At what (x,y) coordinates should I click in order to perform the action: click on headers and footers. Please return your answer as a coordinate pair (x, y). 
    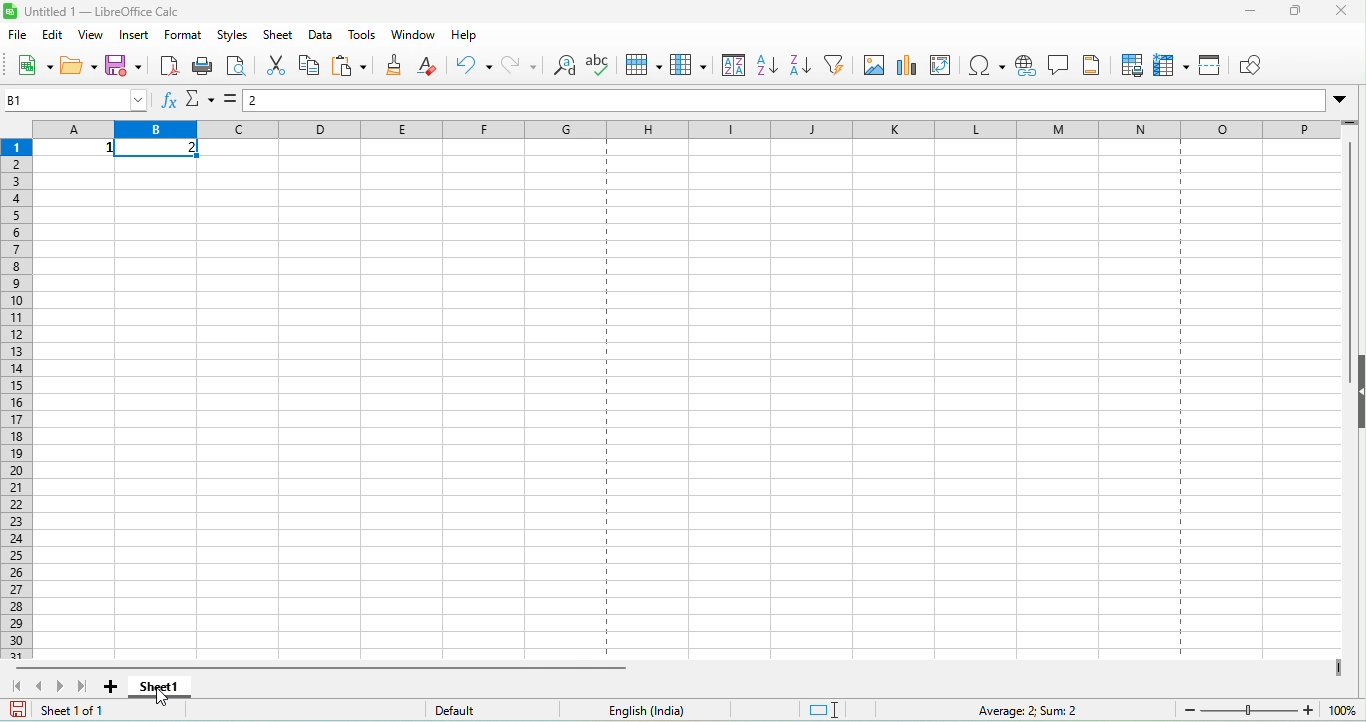
    Looking at the image, I should click on (1093, 69).